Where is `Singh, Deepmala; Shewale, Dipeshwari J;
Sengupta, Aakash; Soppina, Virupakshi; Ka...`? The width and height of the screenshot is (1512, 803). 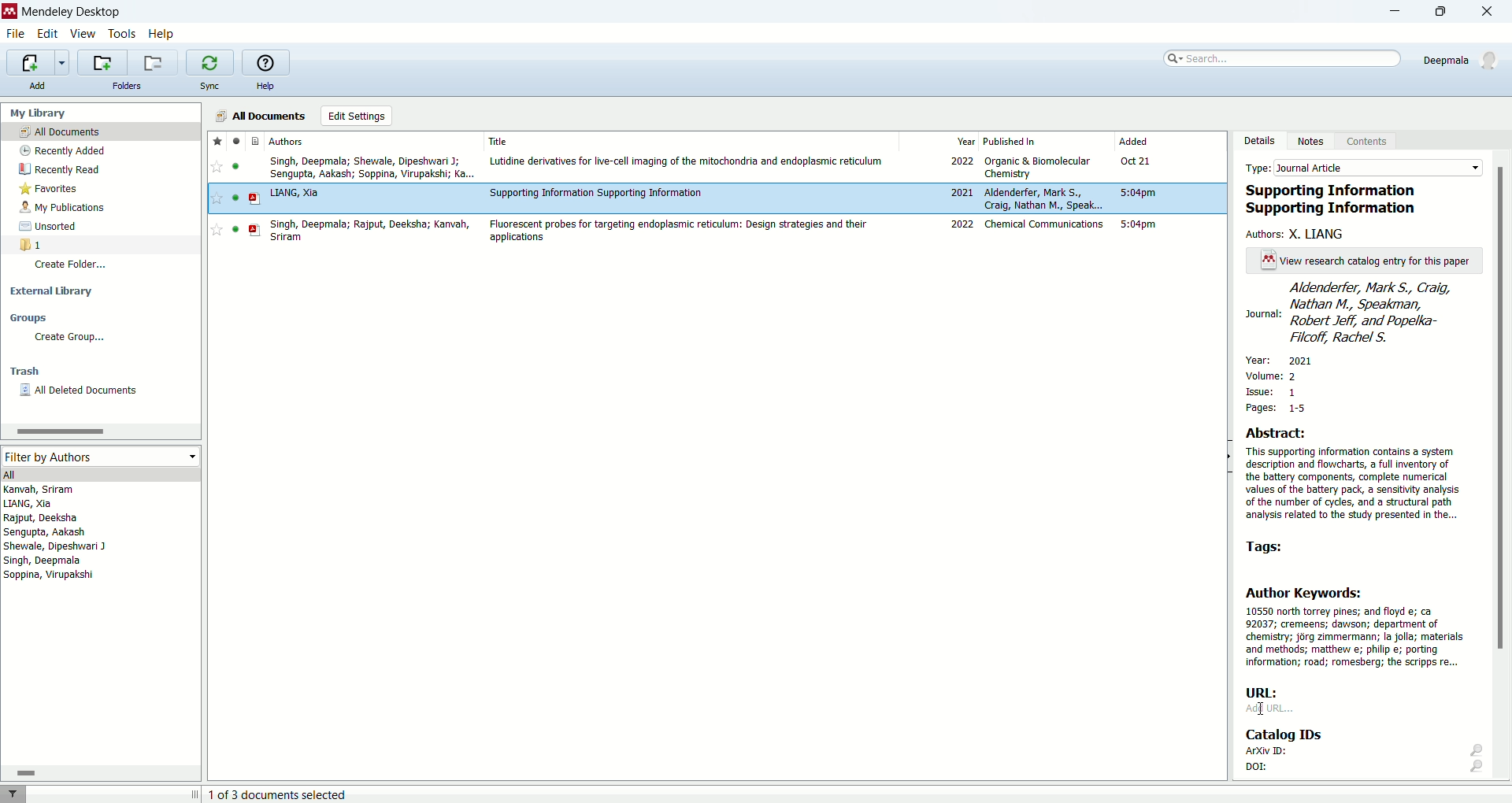
Singh, Deepmala; Shewale, Dipeshwari J;
Sengupta, Aakash; Soppina, Virupakshi; Ka... is located at coordinates (372, 168).